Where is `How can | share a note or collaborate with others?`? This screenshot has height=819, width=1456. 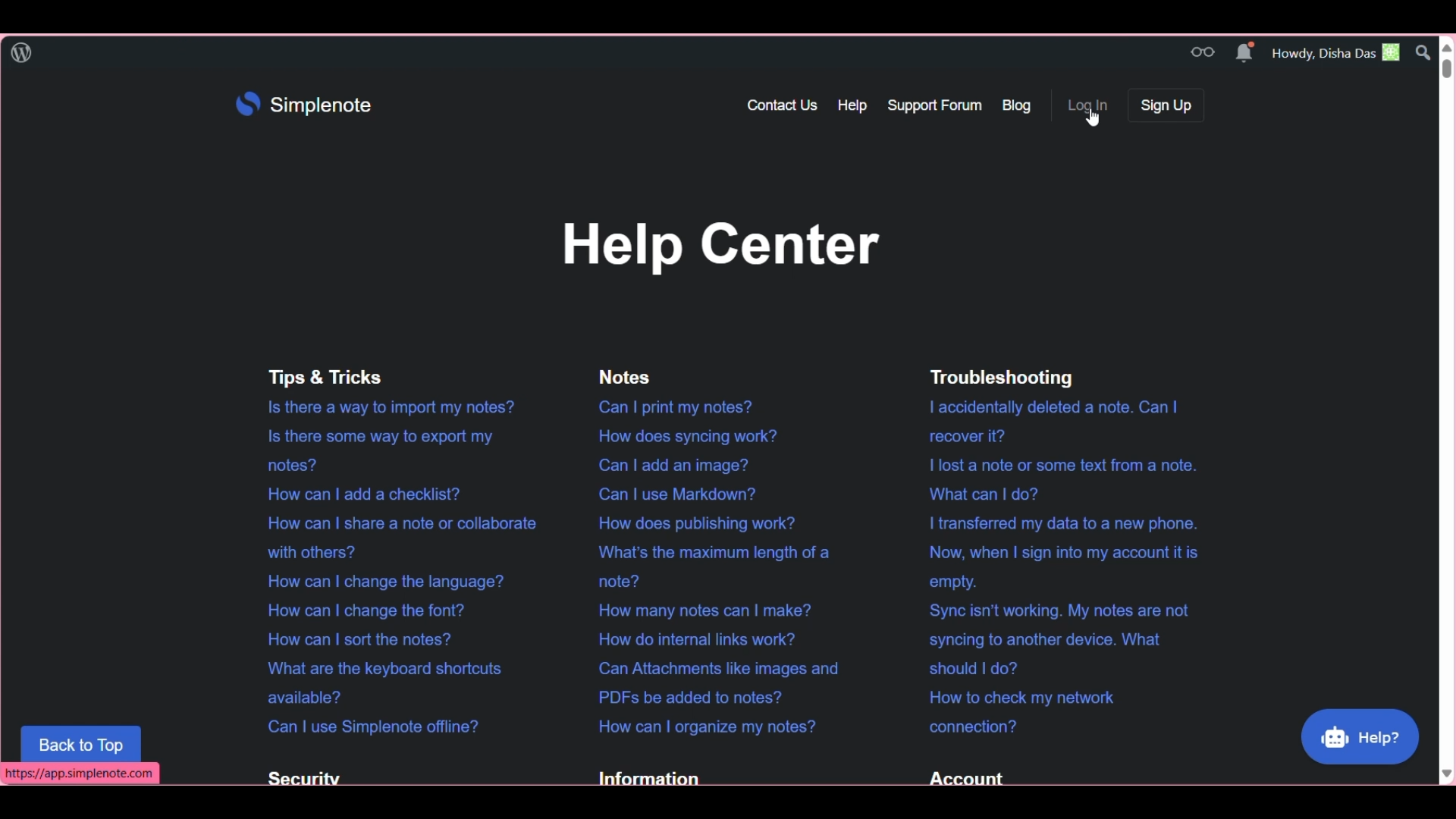 How can | share a note or collaborate with others? is located at coordinates (395, 538).